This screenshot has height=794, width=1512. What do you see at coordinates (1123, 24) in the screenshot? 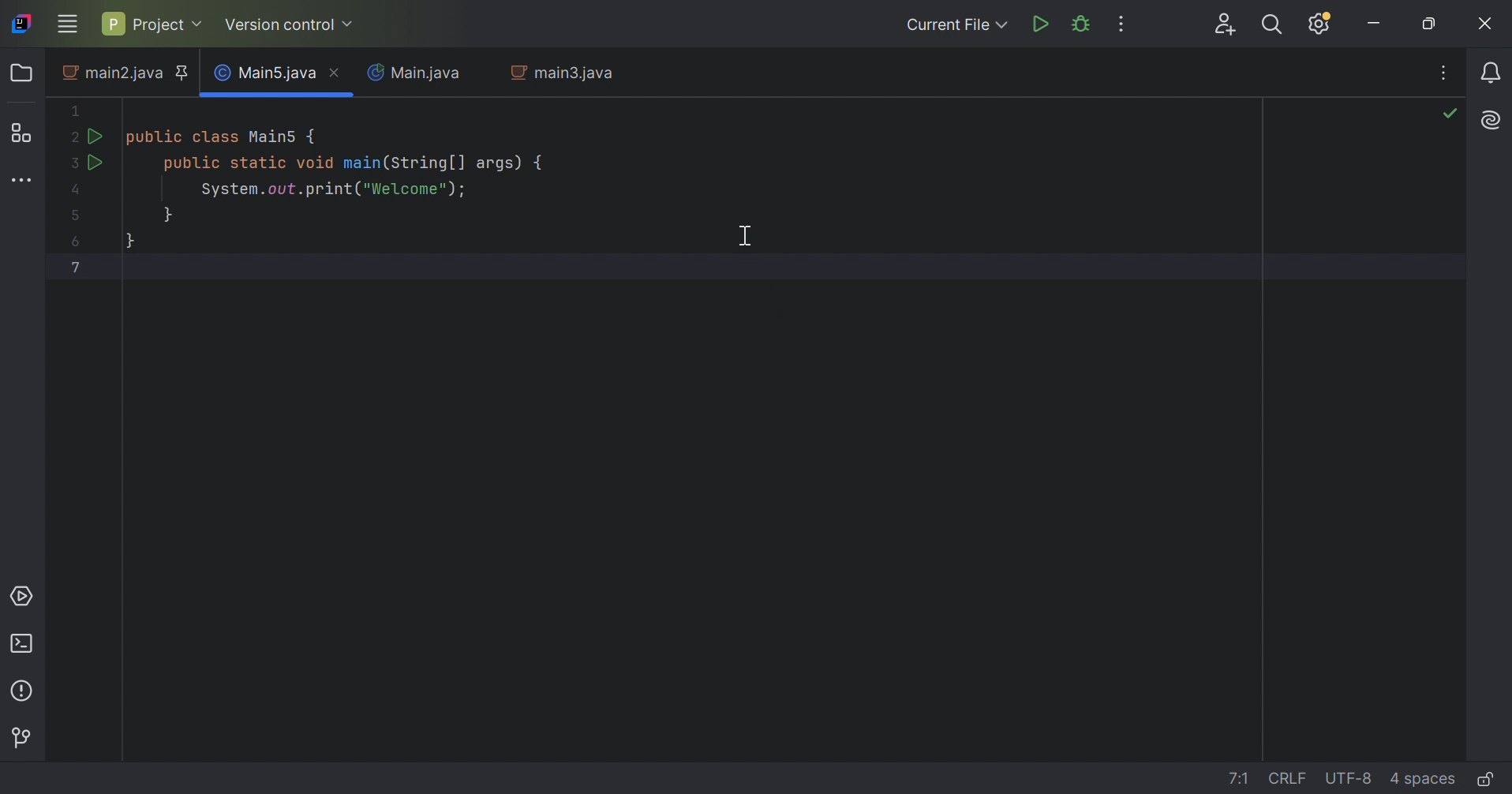
I see `More actions` at bounding box center [1123, 24].